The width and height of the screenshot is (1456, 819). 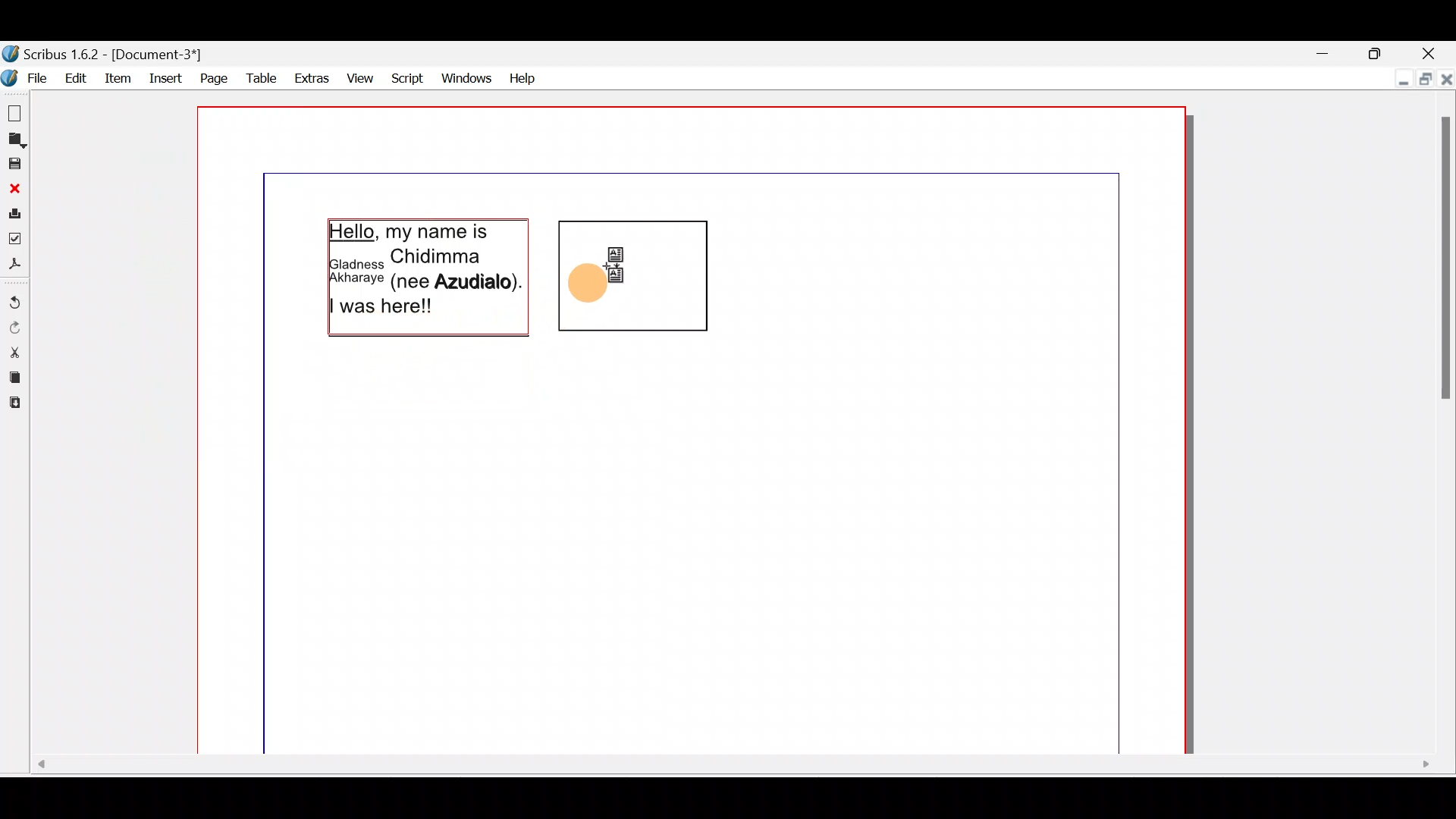 What do you see at coordinates (467, 77) in the screenshot?
I see `Windows` at bounding box center [467, 77].